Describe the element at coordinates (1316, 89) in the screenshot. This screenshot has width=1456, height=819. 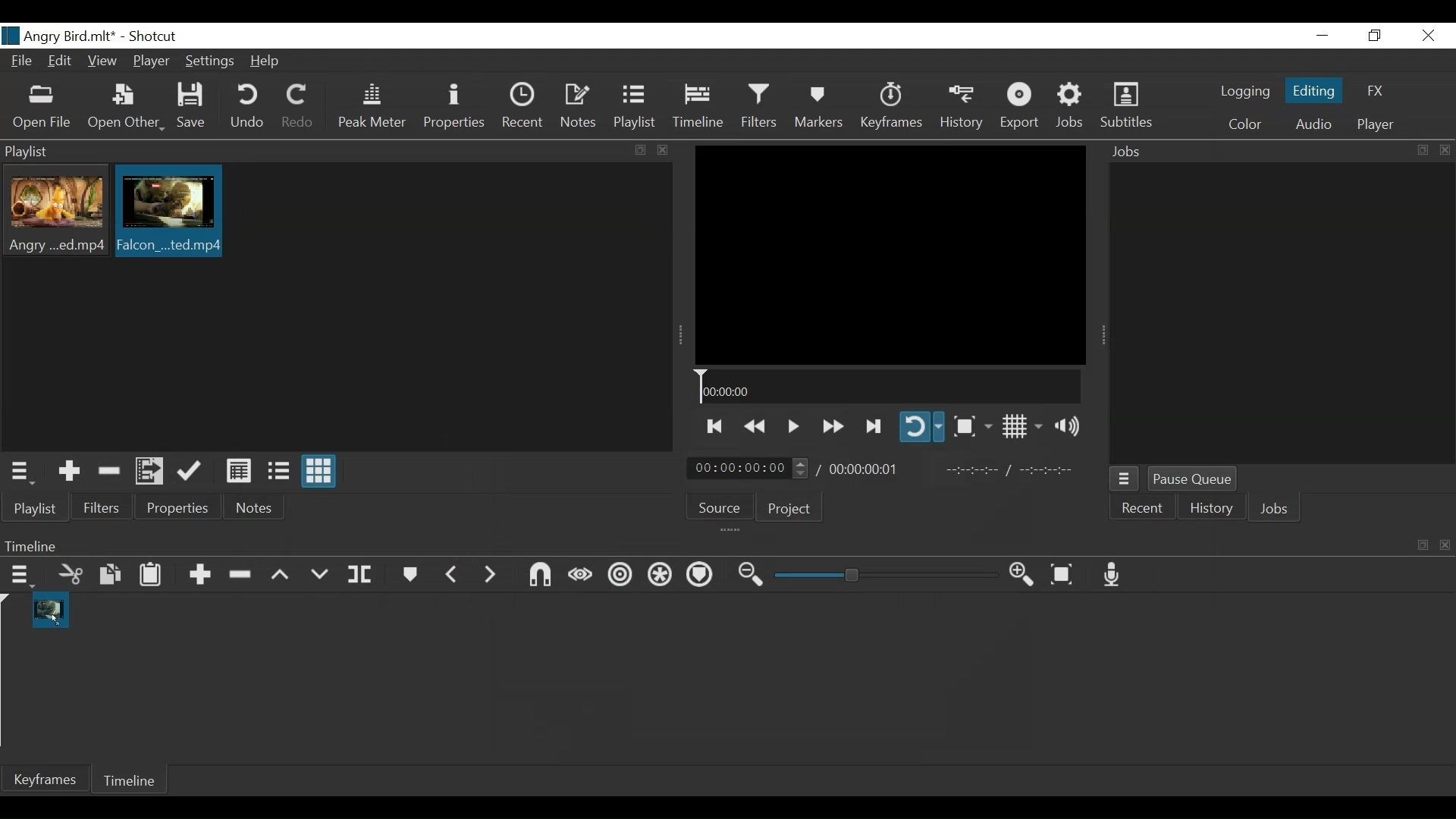
I see `Editing` at that location.